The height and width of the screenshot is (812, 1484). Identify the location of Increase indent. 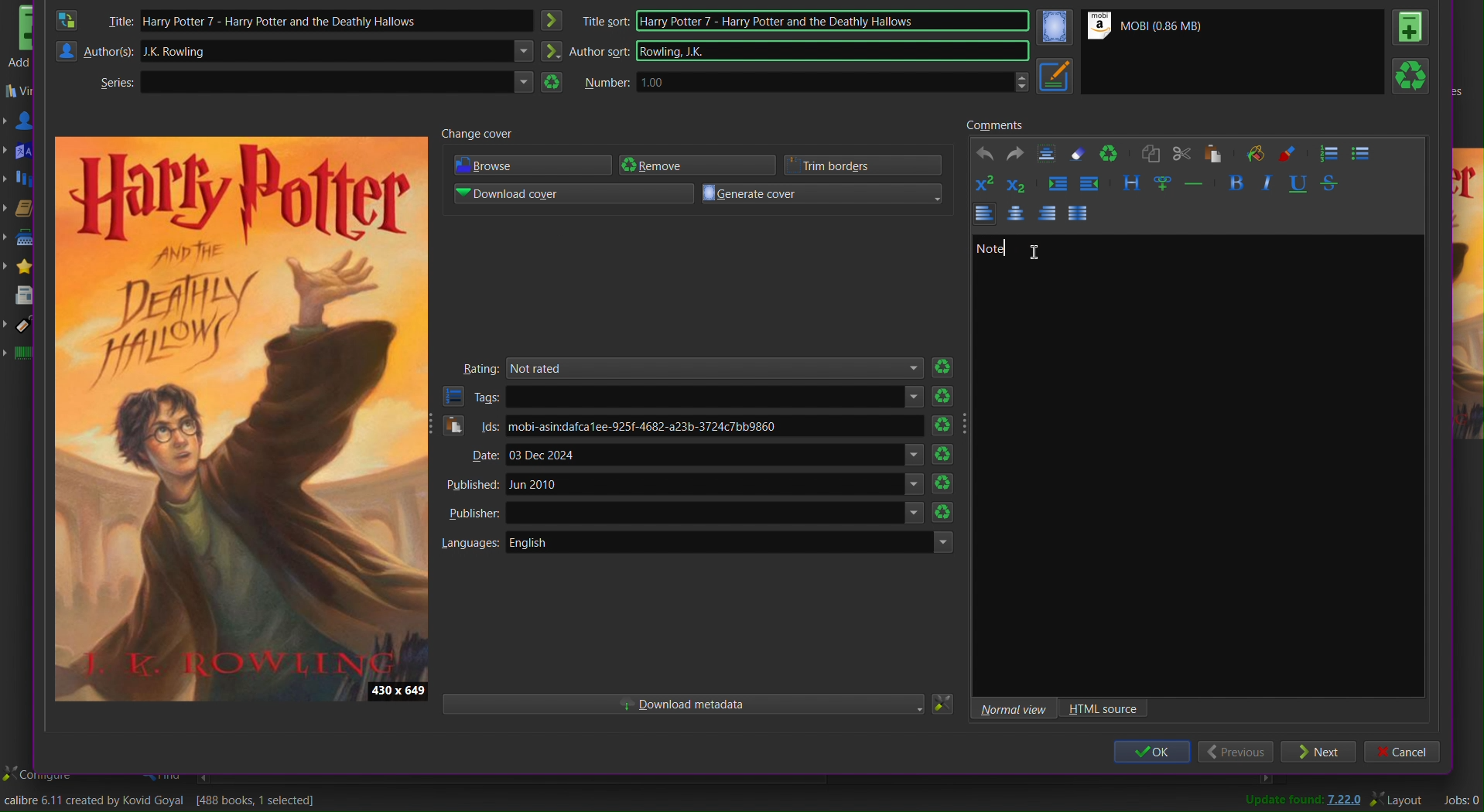
(1057, 184).